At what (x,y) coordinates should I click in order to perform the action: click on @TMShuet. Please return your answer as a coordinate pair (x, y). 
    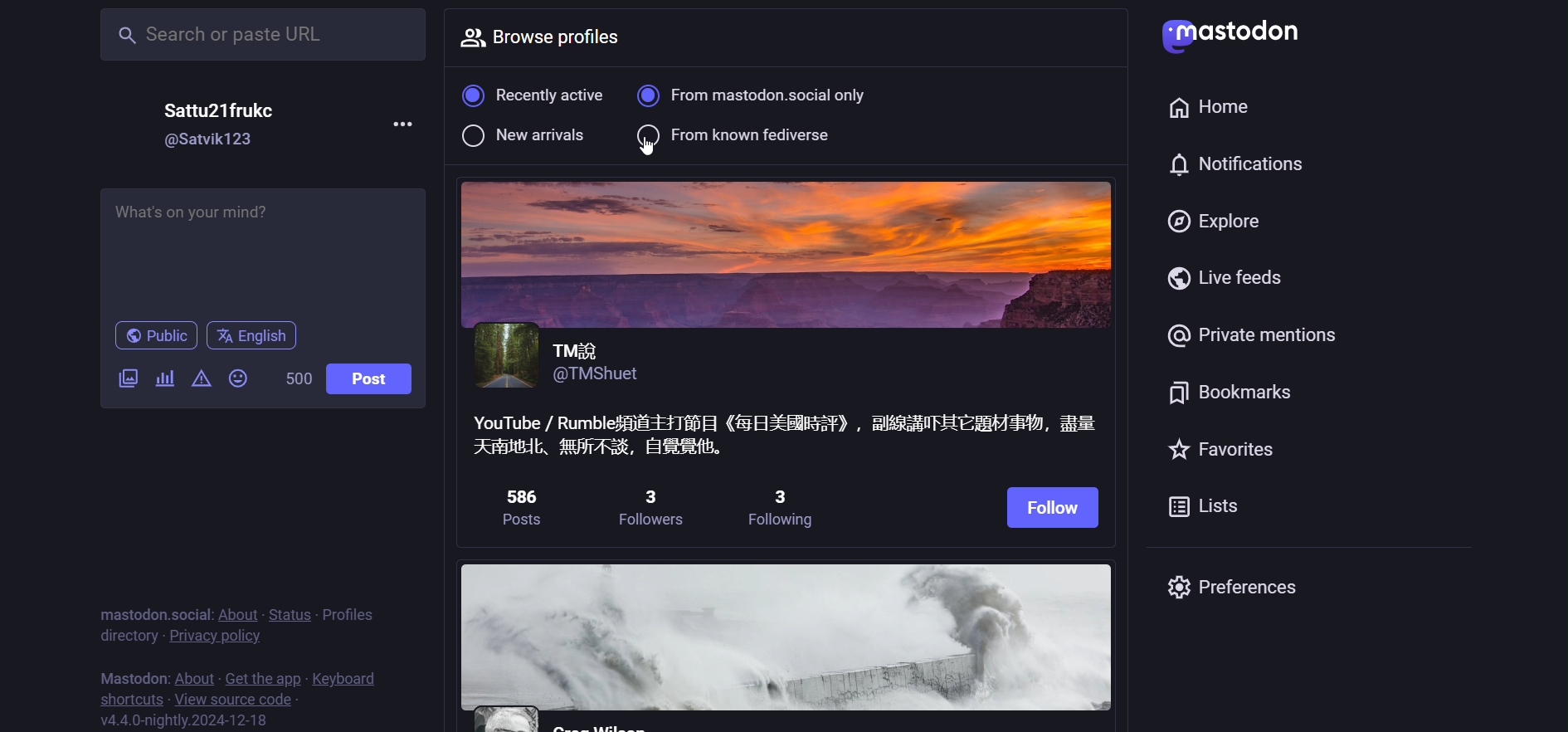
    Looking at the image, I should click on (601, 375).